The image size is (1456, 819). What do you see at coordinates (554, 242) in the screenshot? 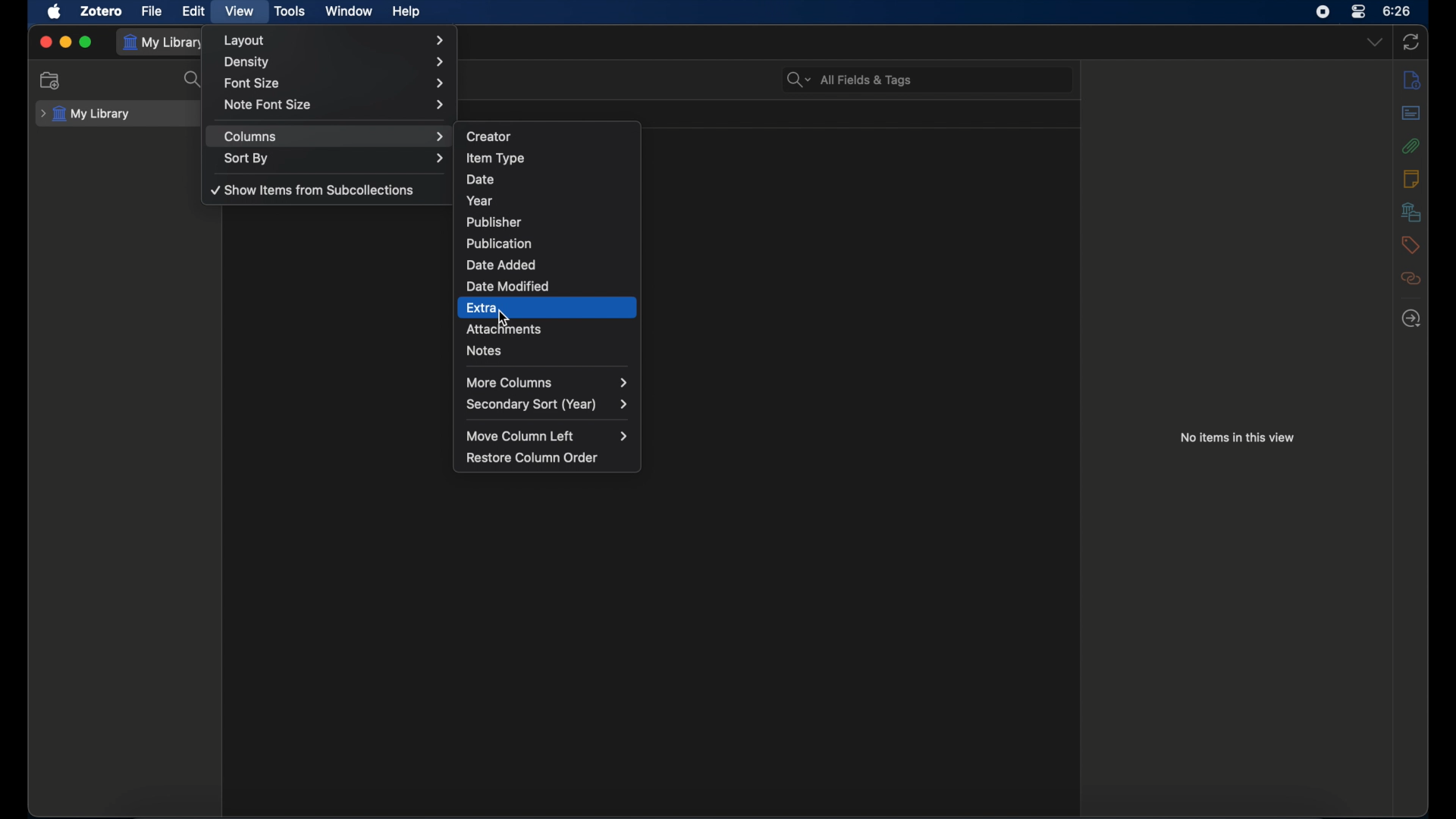
I see `publication` at bounding box center [554, 242].